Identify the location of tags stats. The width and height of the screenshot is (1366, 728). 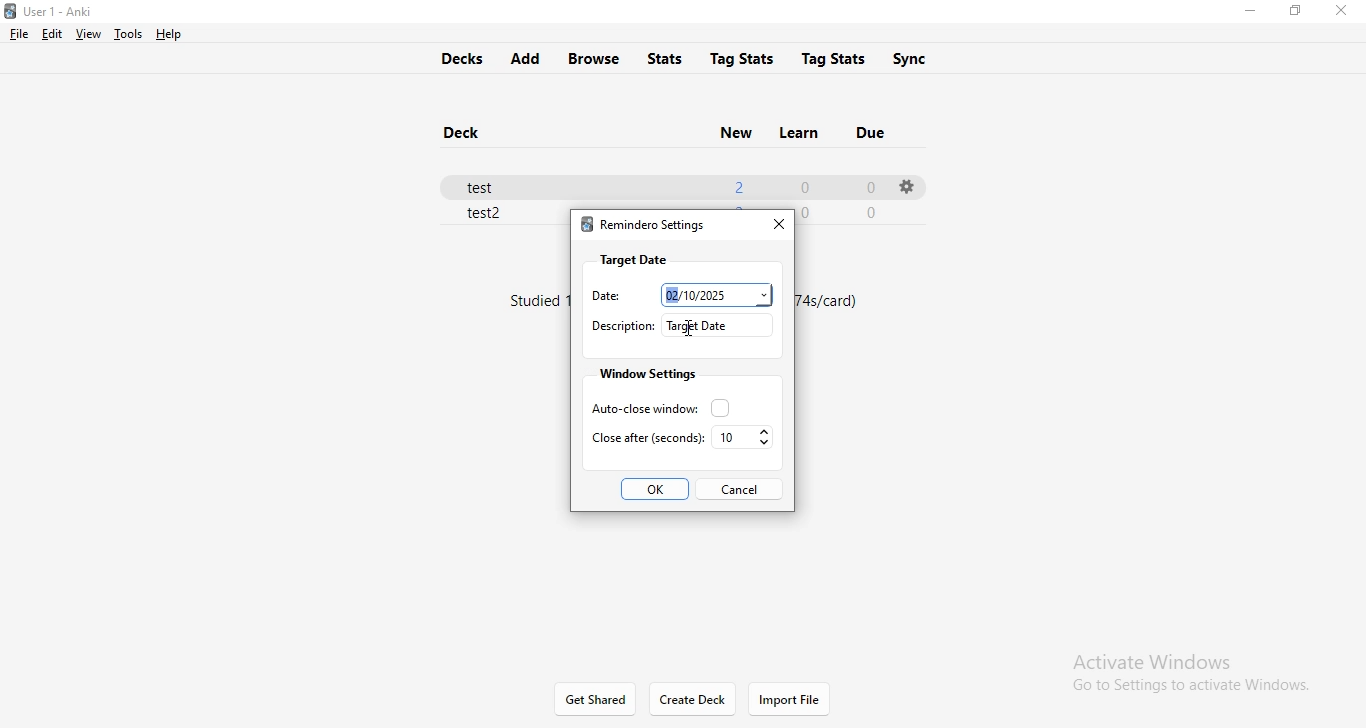
(836, 56).